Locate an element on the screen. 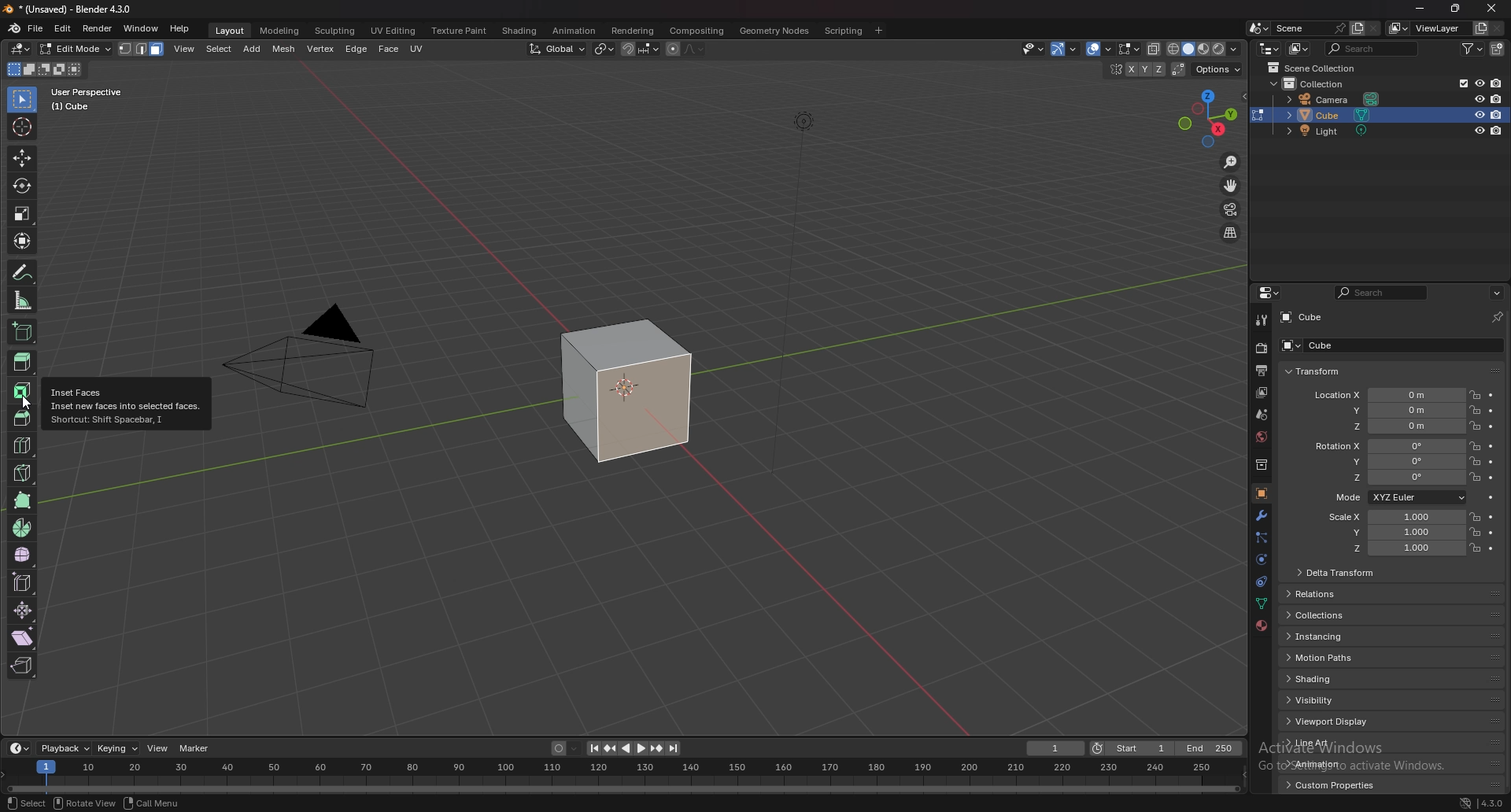 The width and height of the screenshot is (1511, 812). animate property is located at coordinates (1491, 518).